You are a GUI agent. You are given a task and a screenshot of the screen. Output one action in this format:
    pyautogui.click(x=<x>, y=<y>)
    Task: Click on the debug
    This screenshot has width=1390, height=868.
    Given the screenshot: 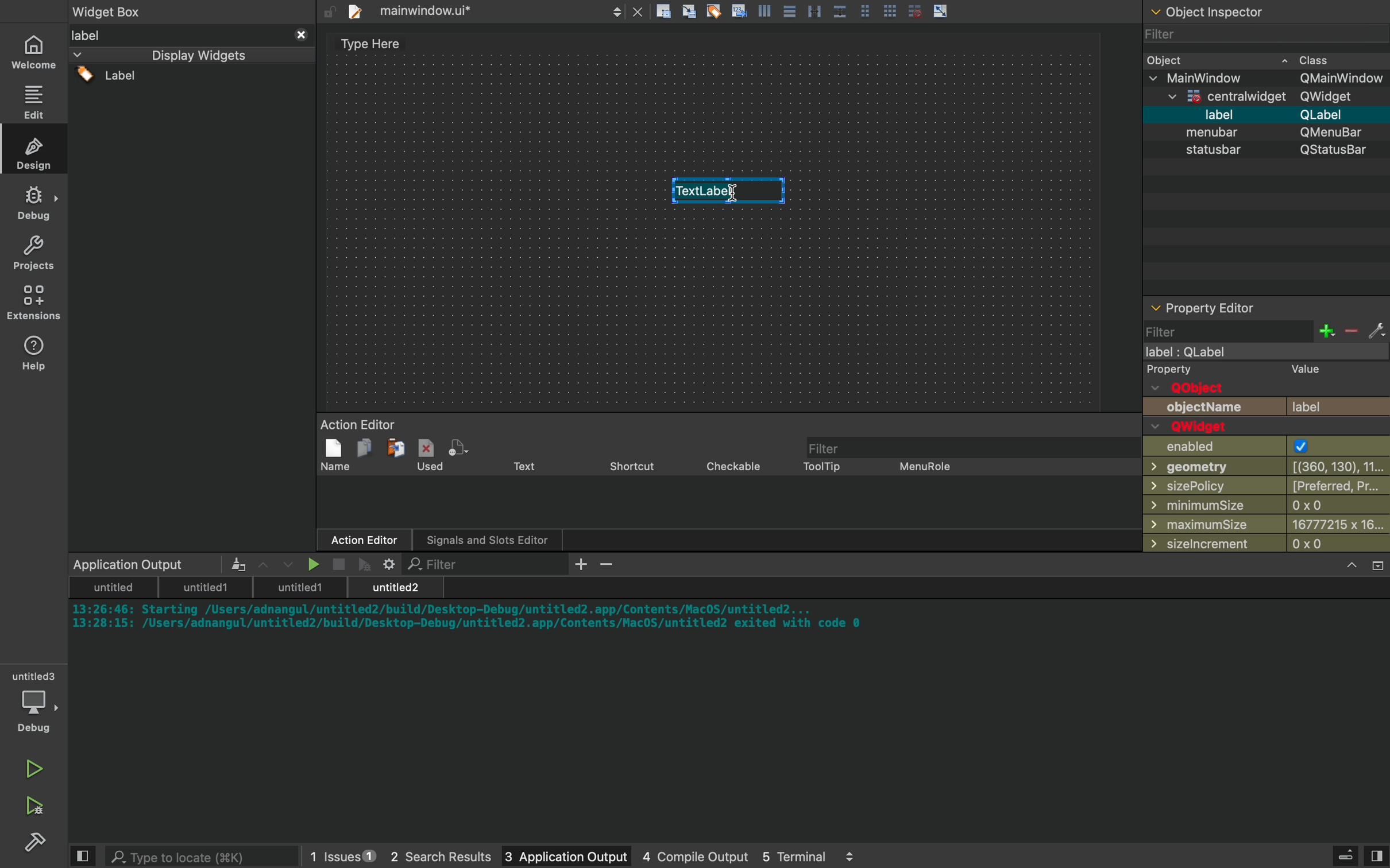 What is the action you would take?
    pyautogui.click(x=37, y=704)
    